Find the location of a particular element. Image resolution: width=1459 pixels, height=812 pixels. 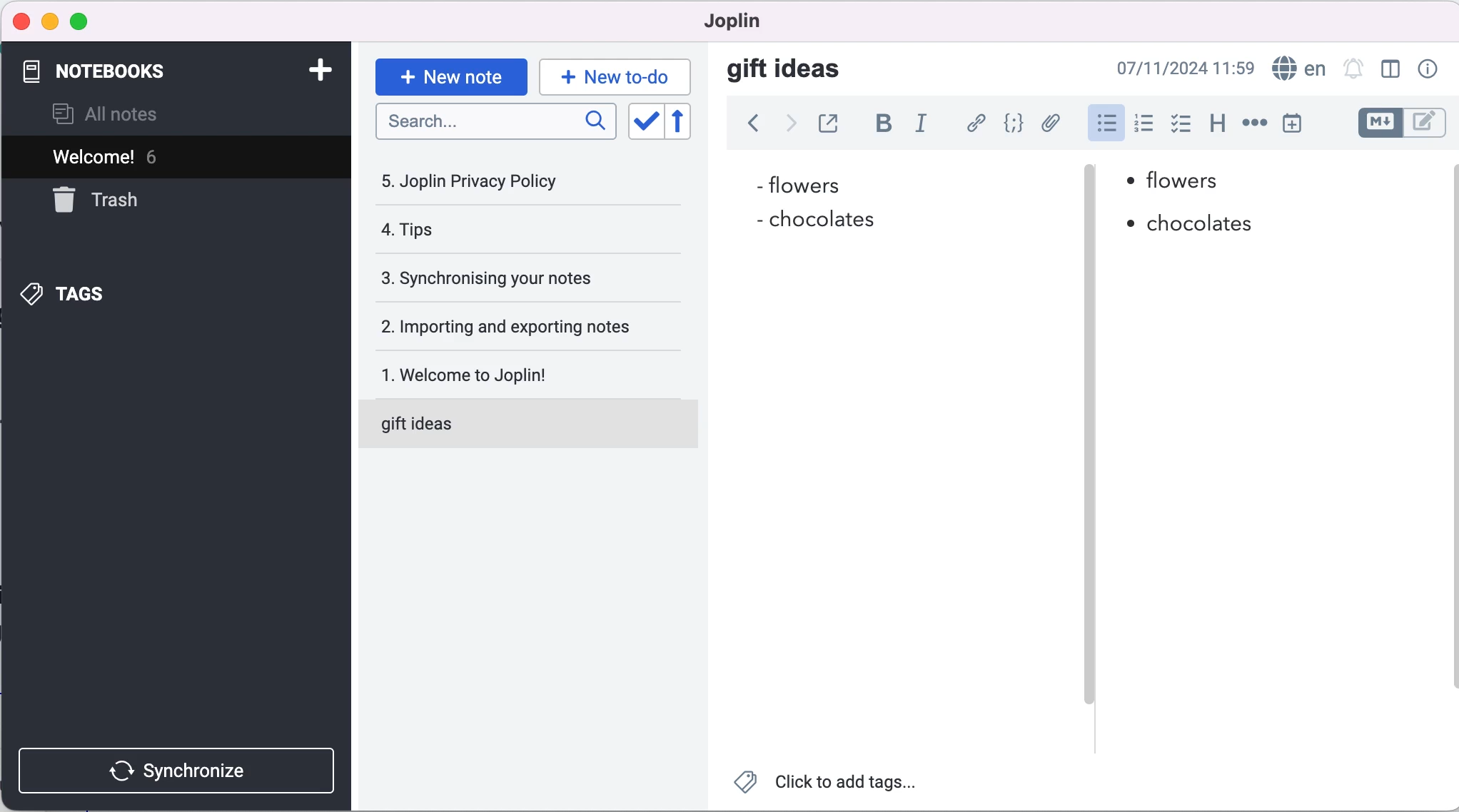

bold is located at coordinates (884, 124).